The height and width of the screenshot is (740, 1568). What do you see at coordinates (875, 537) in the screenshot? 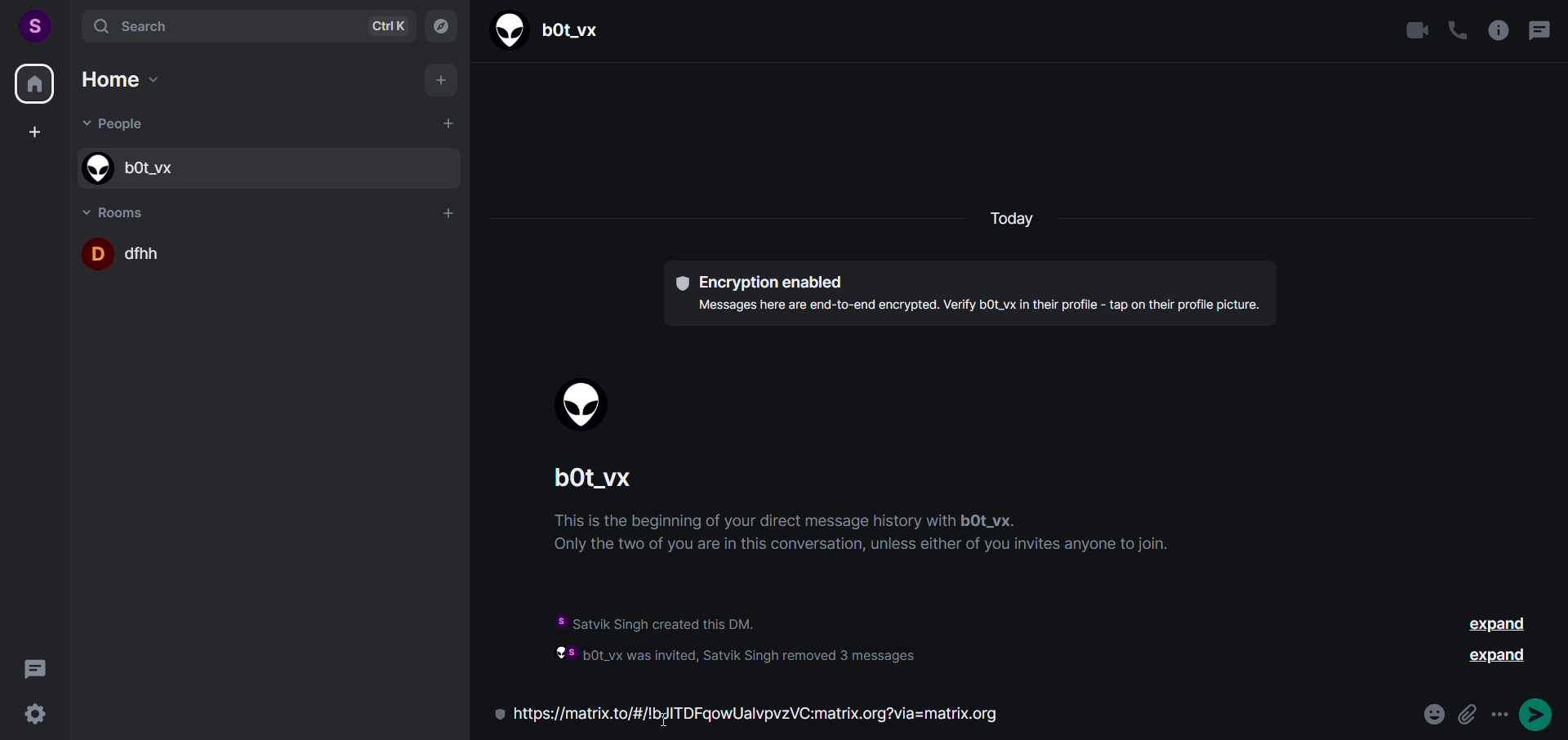
I see `instructions` at bounding box center [875, 537].